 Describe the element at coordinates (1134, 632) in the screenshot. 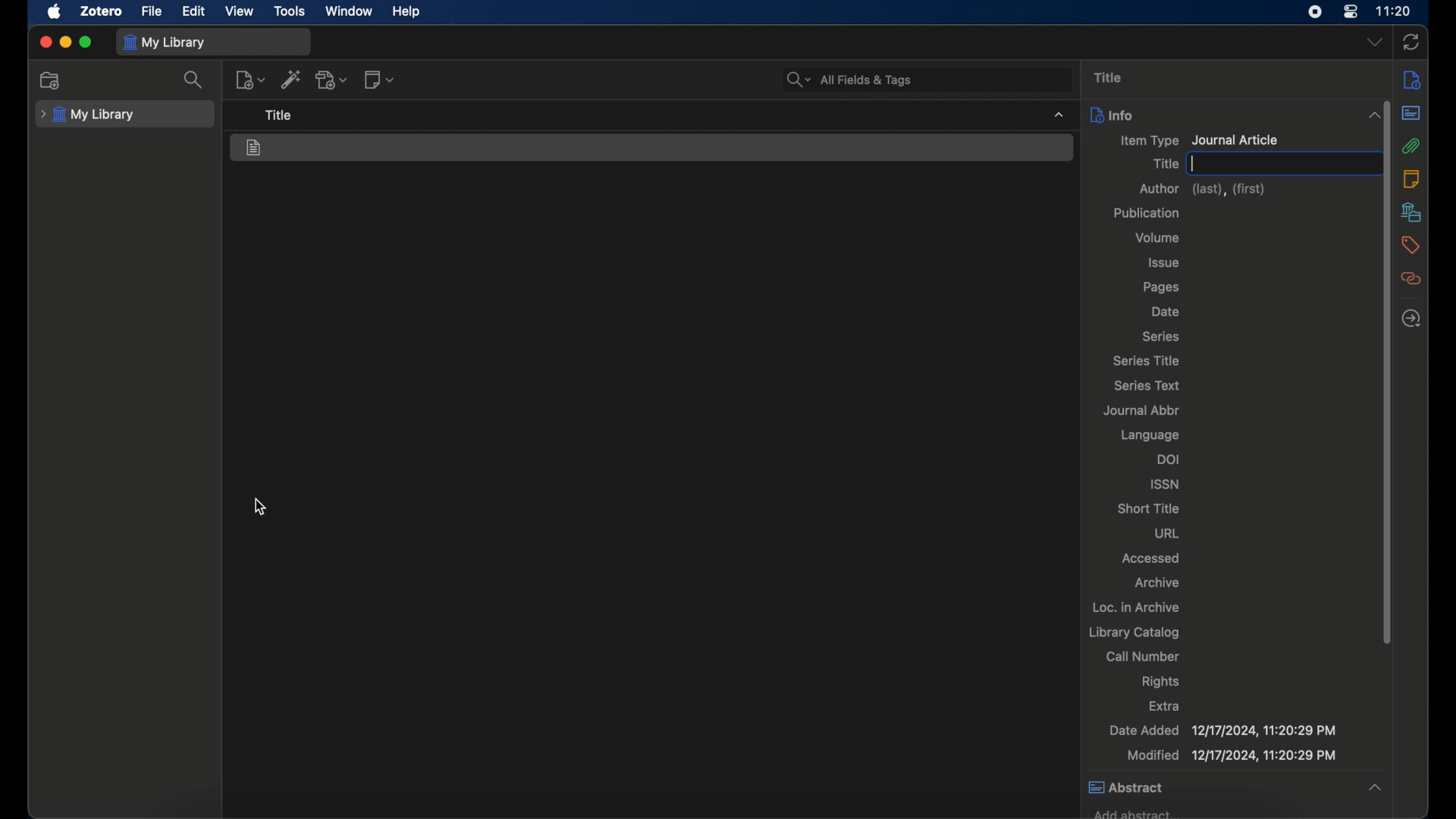

I see `library catalog` at that location.